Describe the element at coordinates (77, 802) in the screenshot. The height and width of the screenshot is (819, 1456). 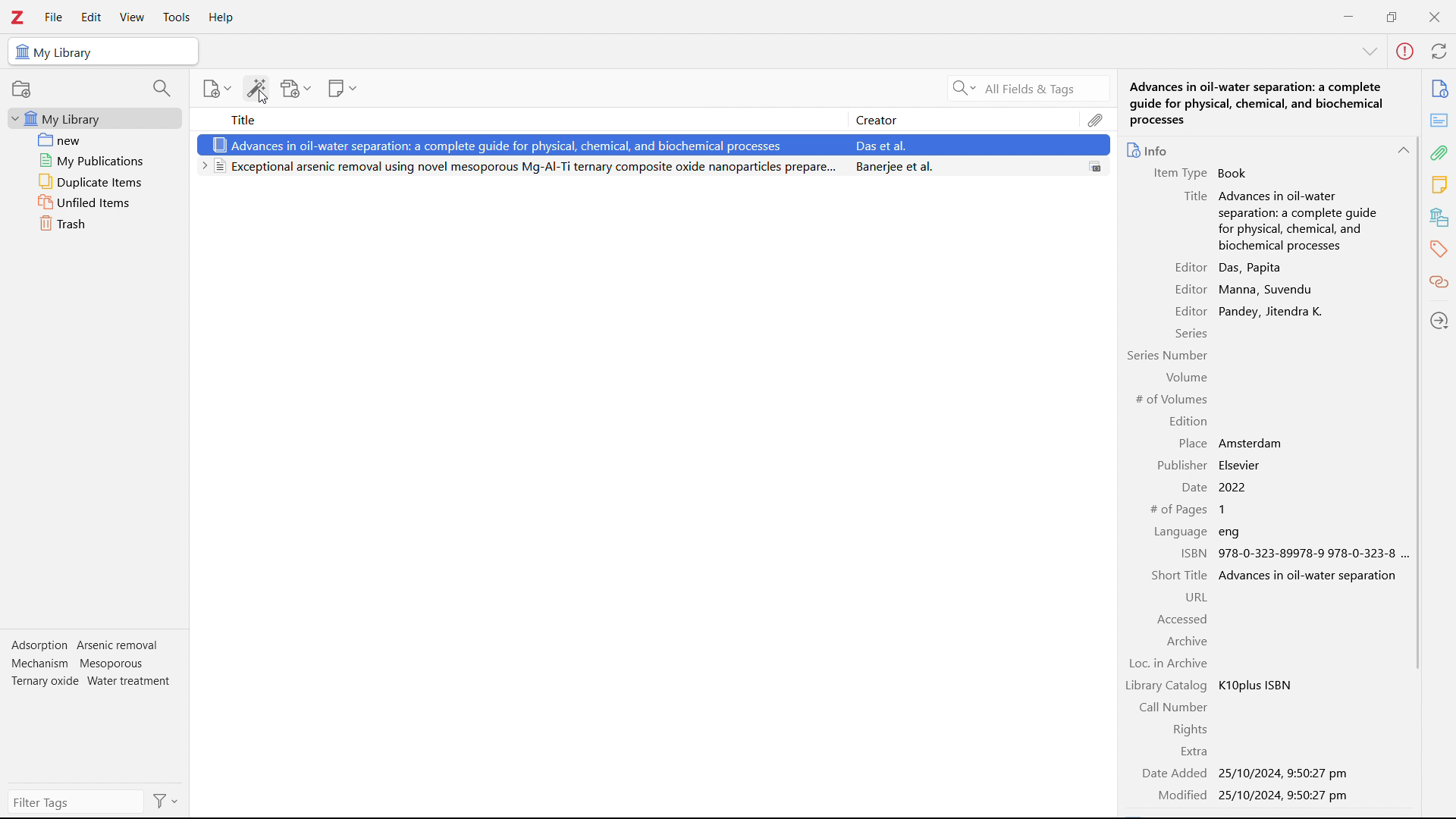
I see `filter tags` at that location.